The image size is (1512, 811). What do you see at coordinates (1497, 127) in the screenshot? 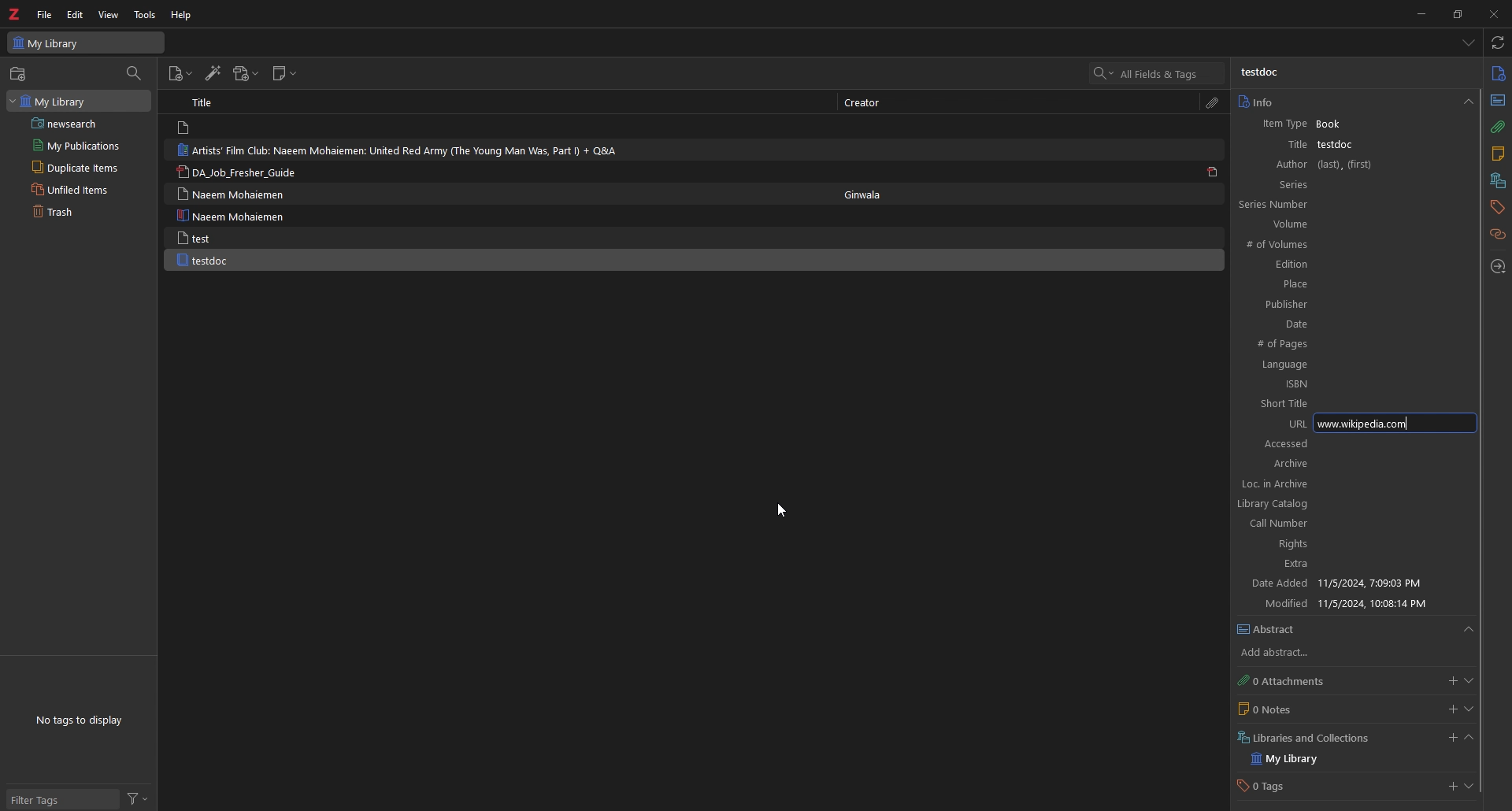
I see `attachment` at bounding box center [1497, 127].